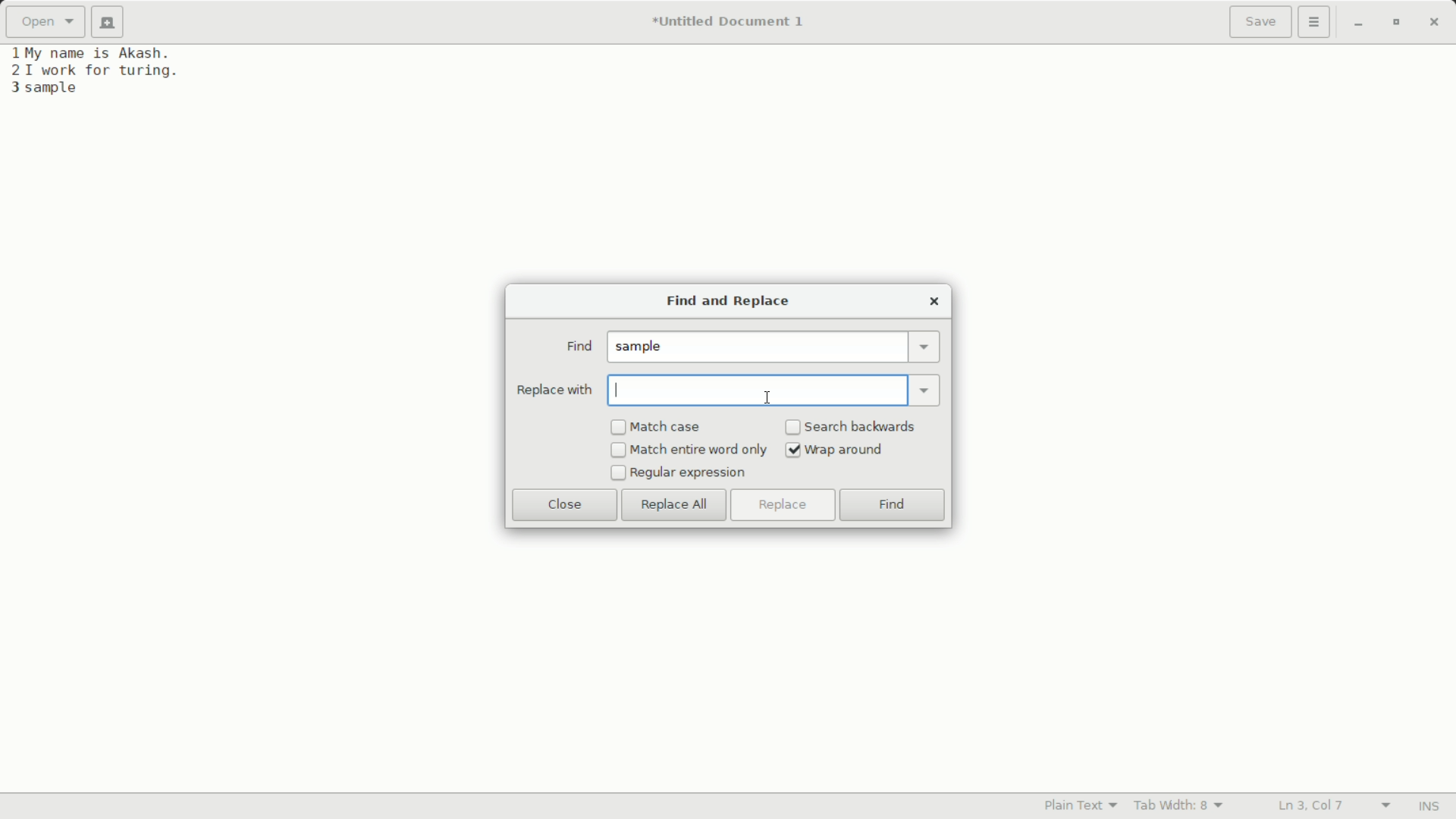 Image resolution: width=1456 pixels, height=819 pixels. I want to click on wrap around, so click(847, 450).